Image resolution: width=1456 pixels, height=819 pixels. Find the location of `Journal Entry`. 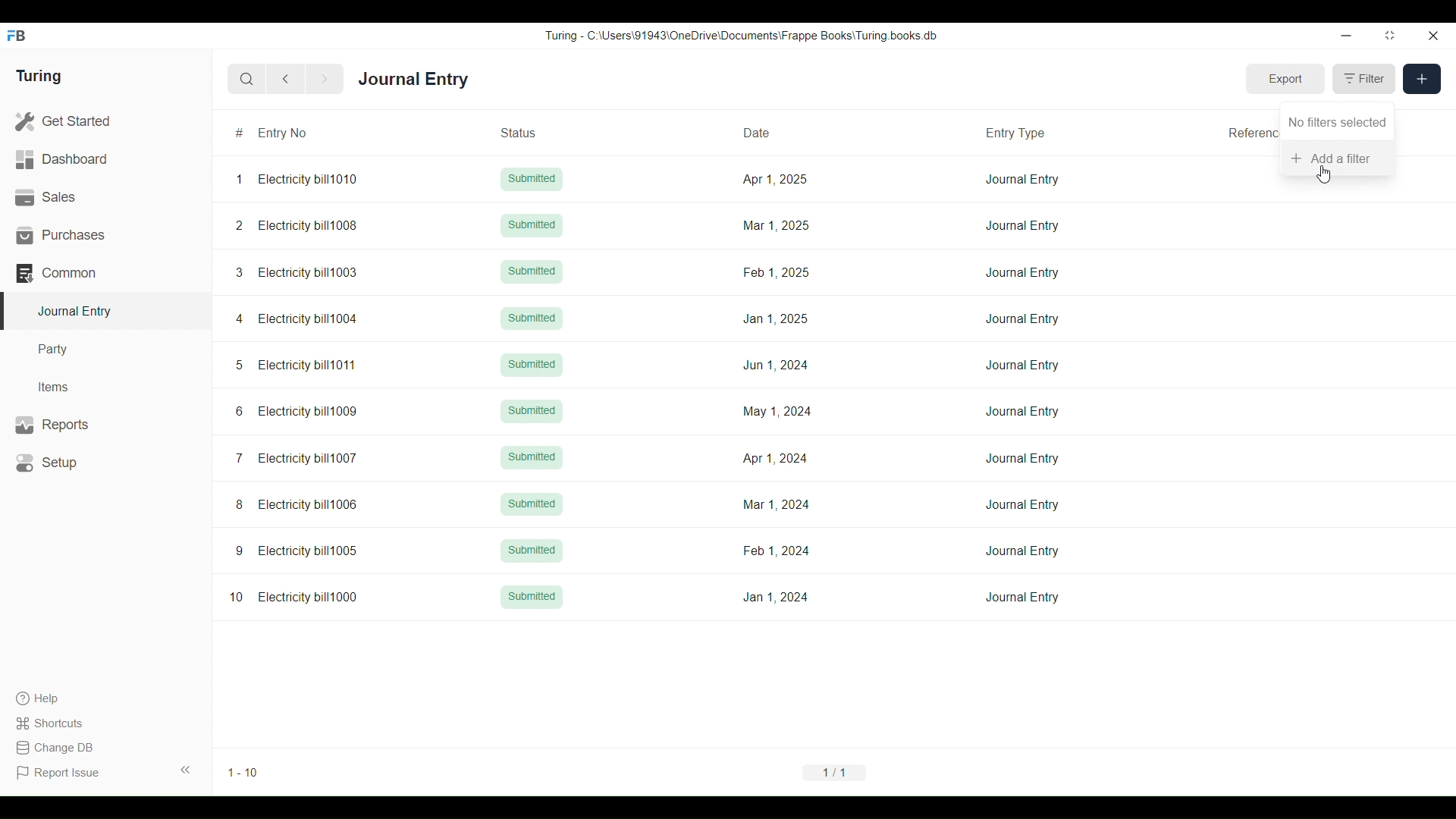

Journal Entry is located at coordinates (1022, 318).